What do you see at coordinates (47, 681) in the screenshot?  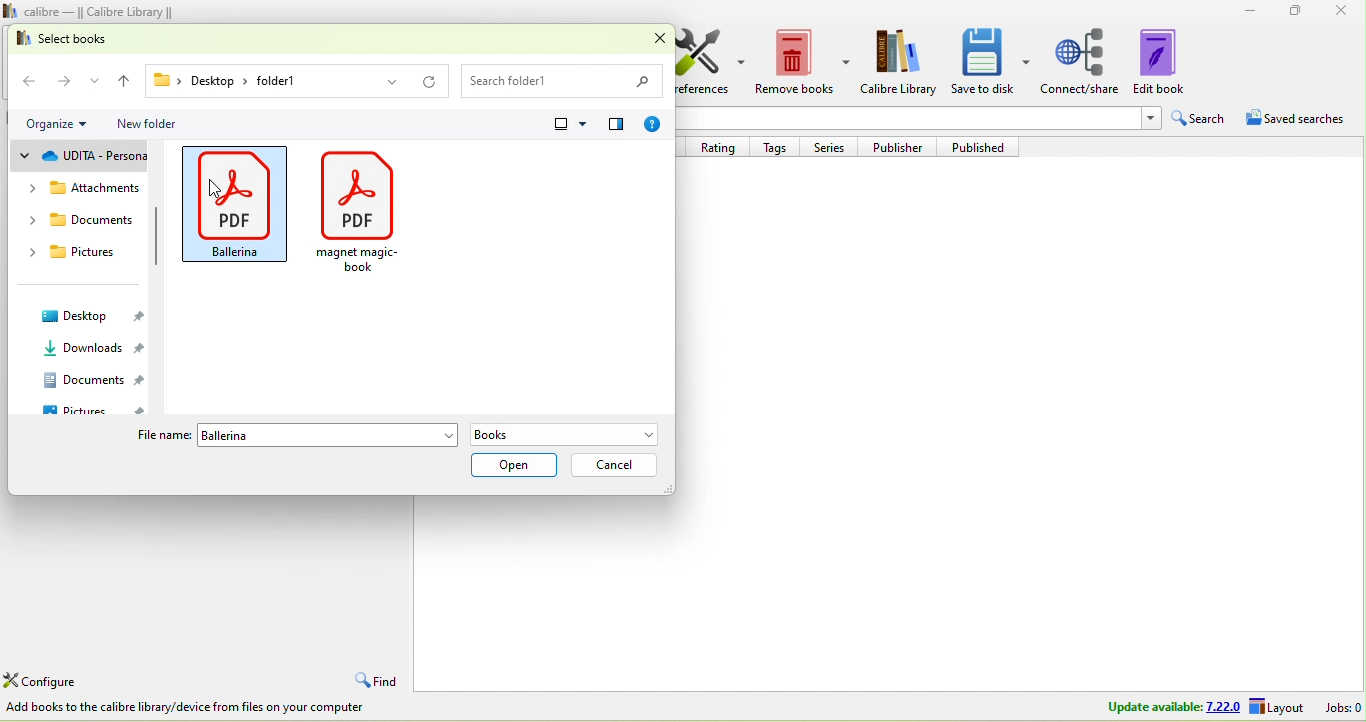 I see `configure` at bounding box center [47, 681].